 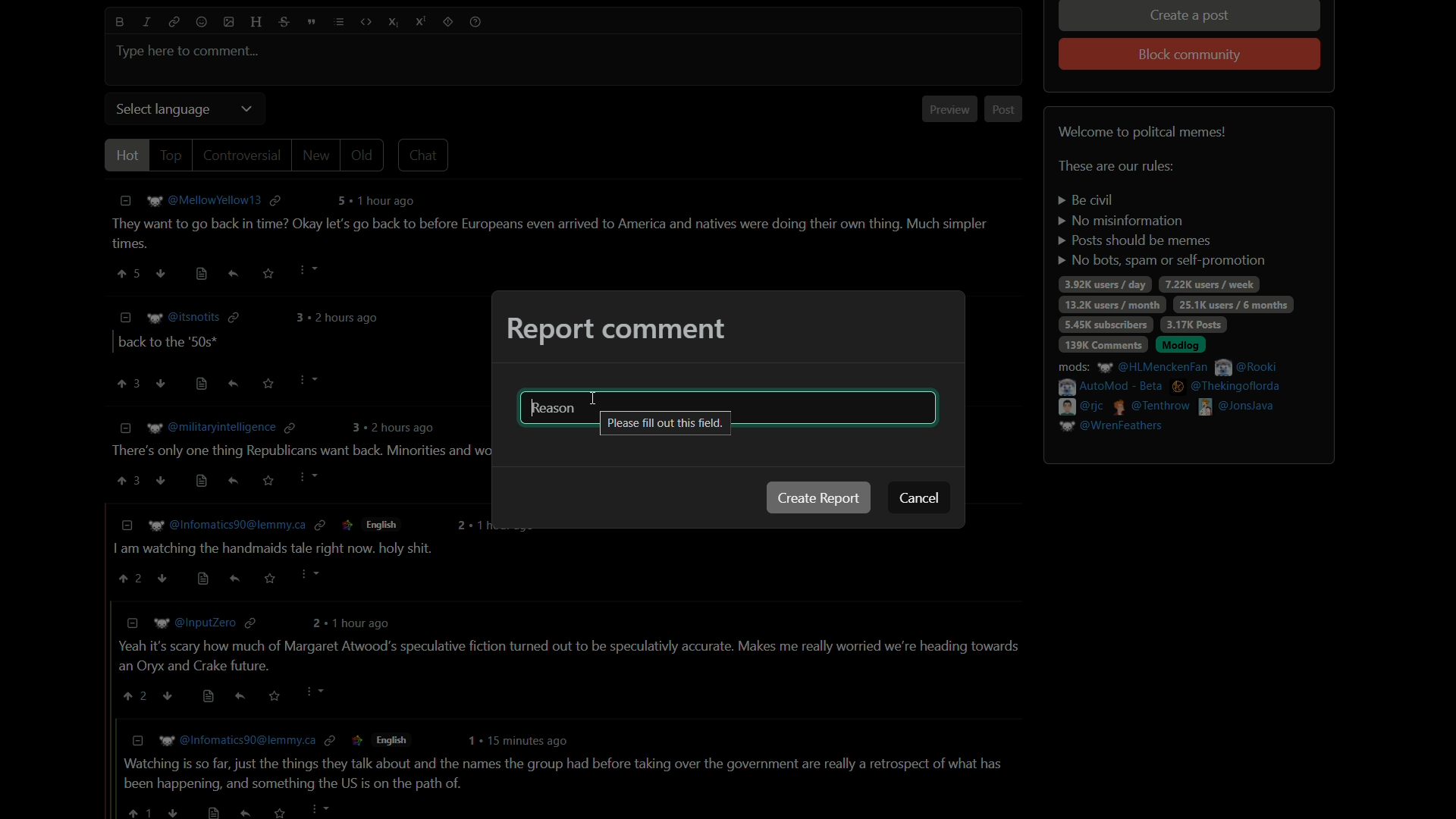 I want to click on strikethrough, so click(x=281, y=23).